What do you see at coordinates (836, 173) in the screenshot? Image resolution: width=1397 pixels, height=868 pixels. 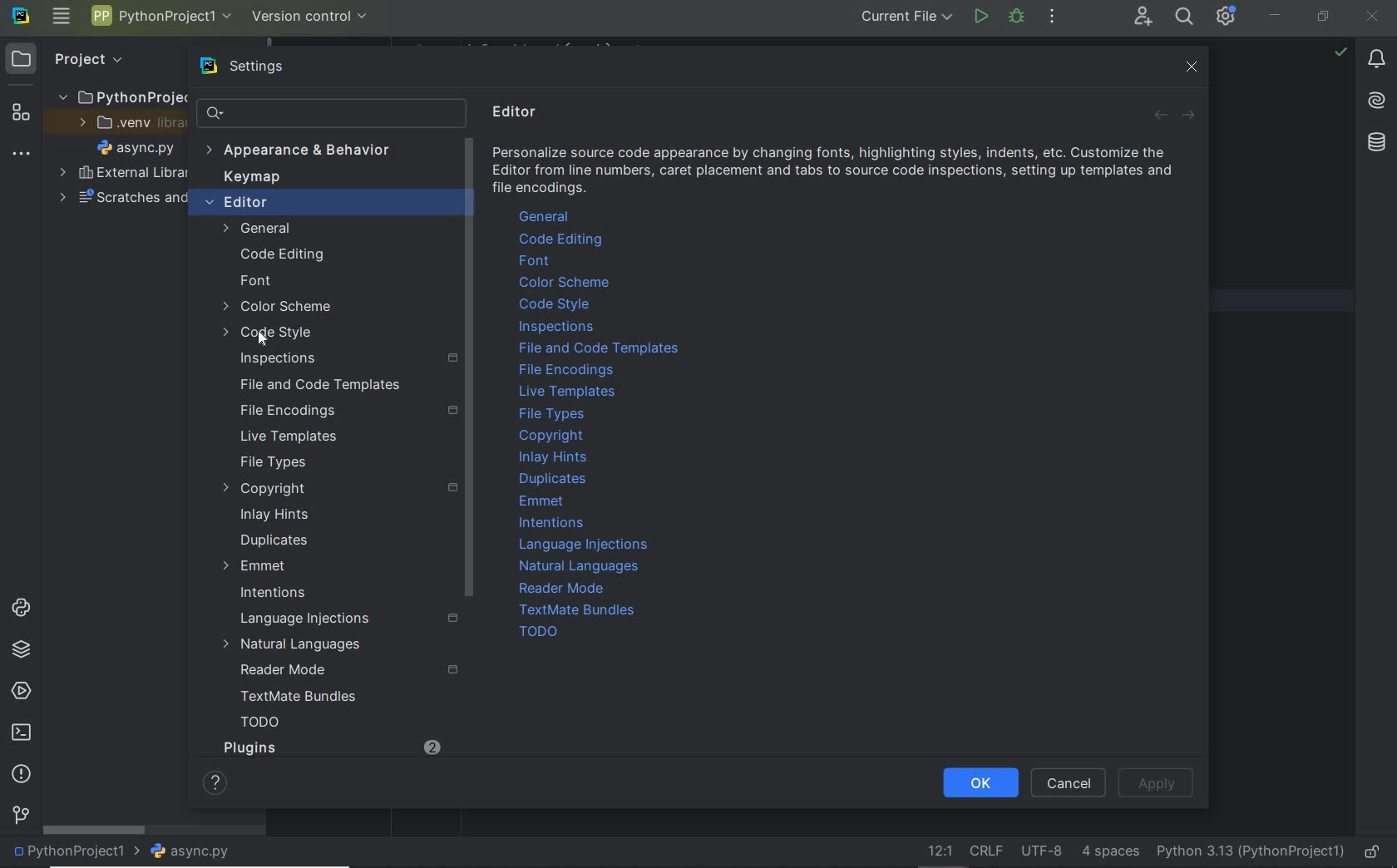 I see `Personalize source code appearance by changing fonts, highlighting styles, indents, etc. Customize the Editor from line numbers, caret placement and tabs to source code inspections, setting up templates and file encodings.` at bounding box center [836, 173].